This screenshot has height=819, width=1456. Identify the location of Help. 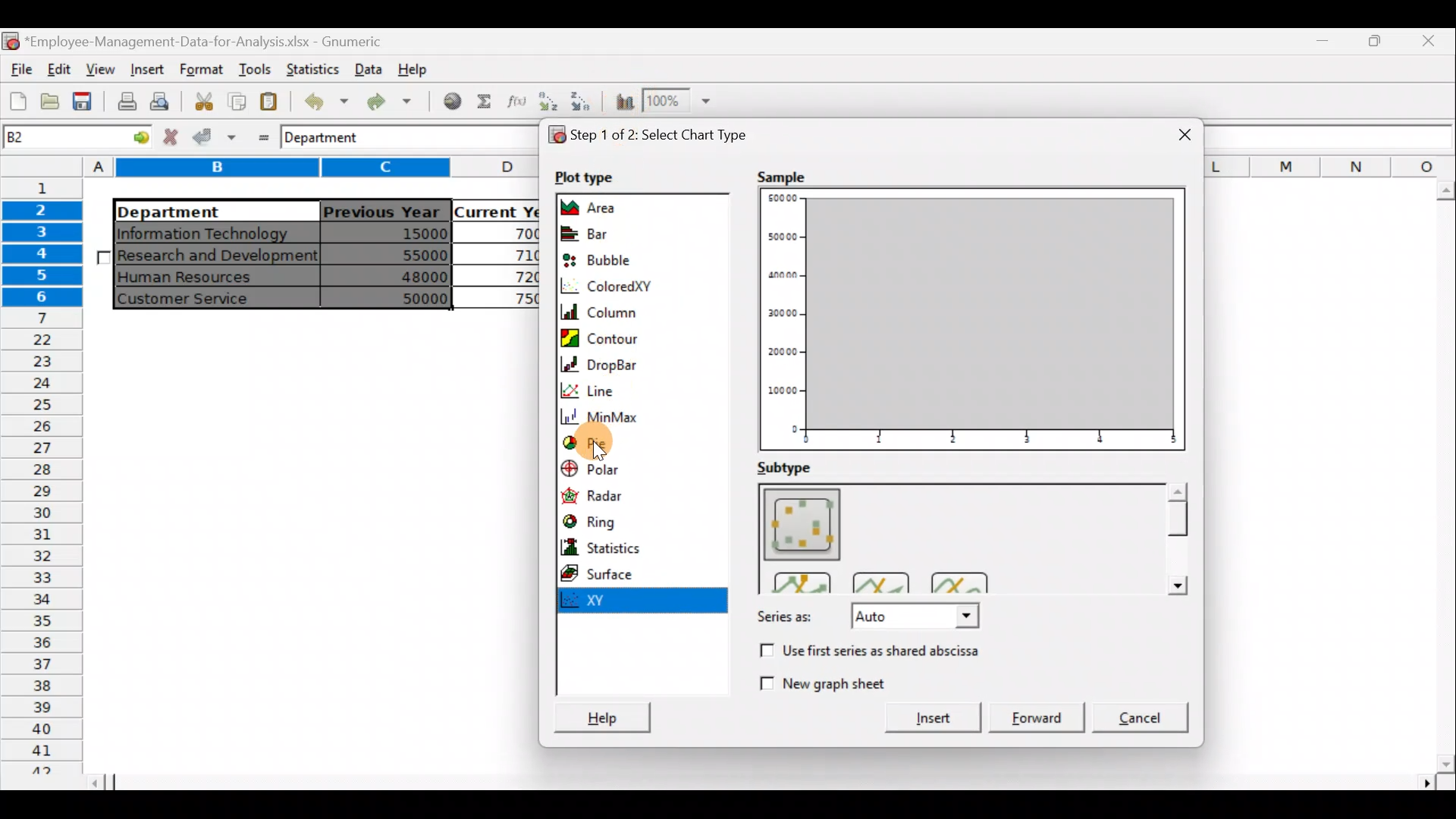
(599, 711).